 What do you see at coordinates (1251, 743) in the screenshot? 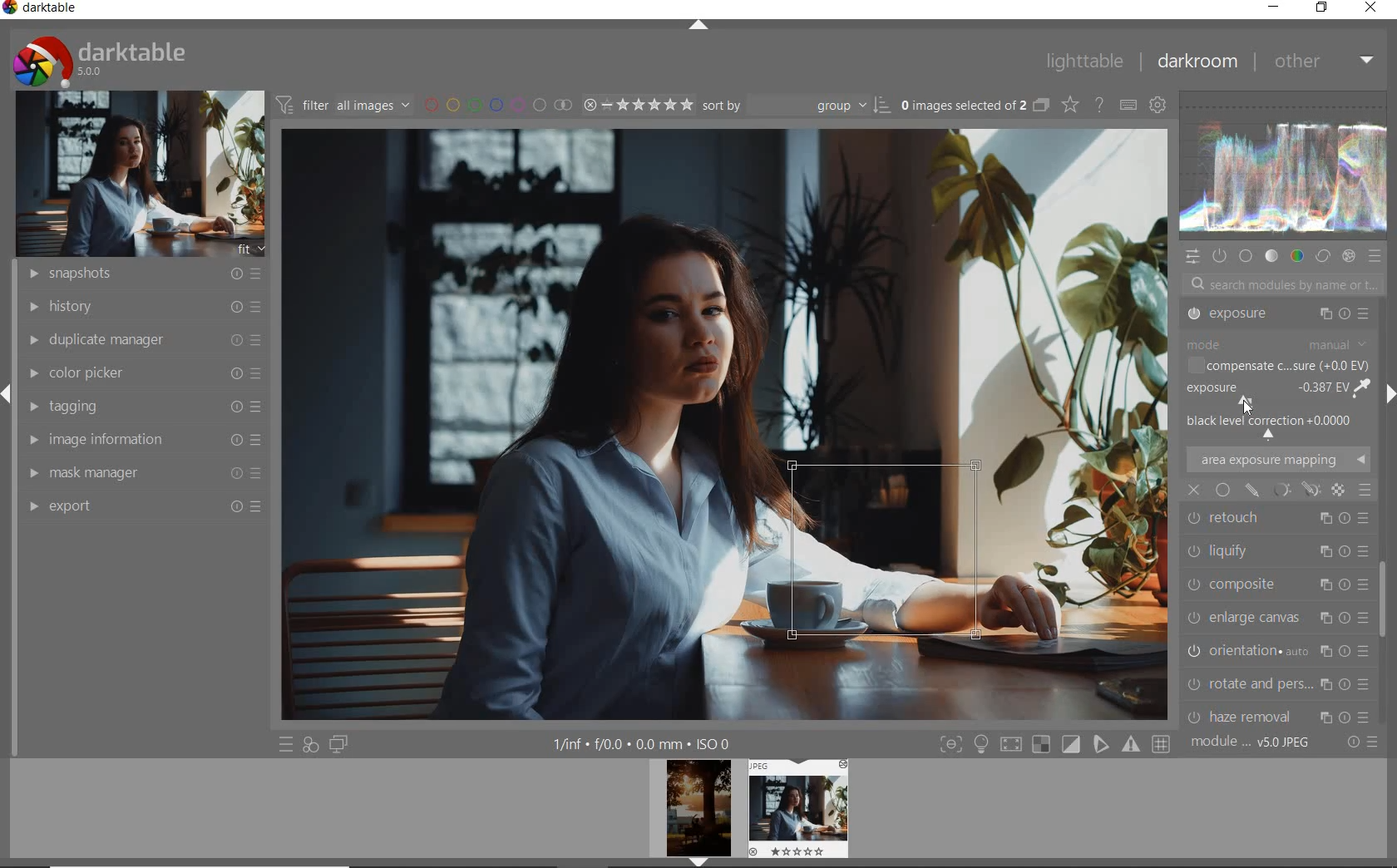
I see `MODULE ORDER` at bounding box center [1251, 743].